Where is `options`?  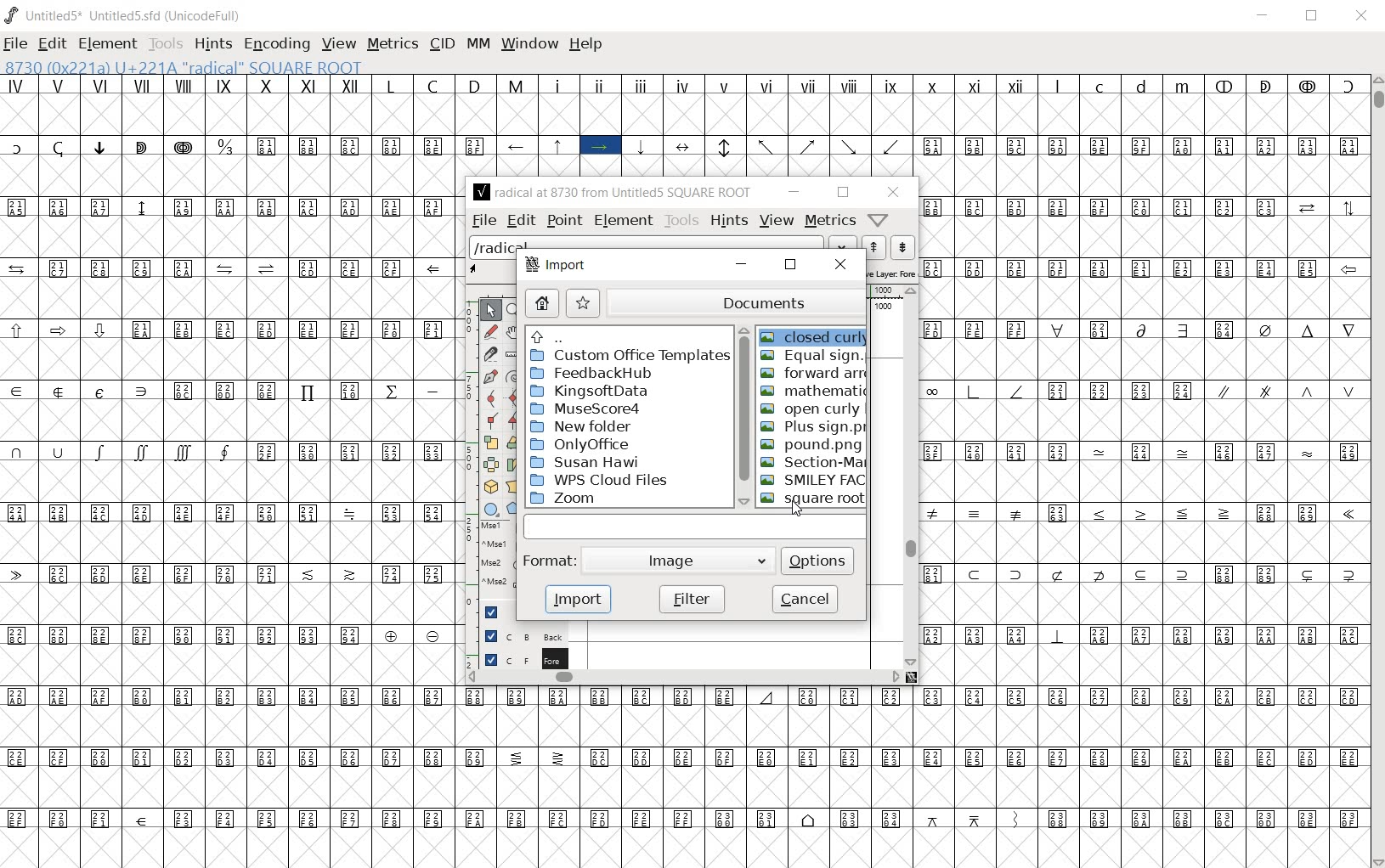
options is located at coordinates (819, 560).